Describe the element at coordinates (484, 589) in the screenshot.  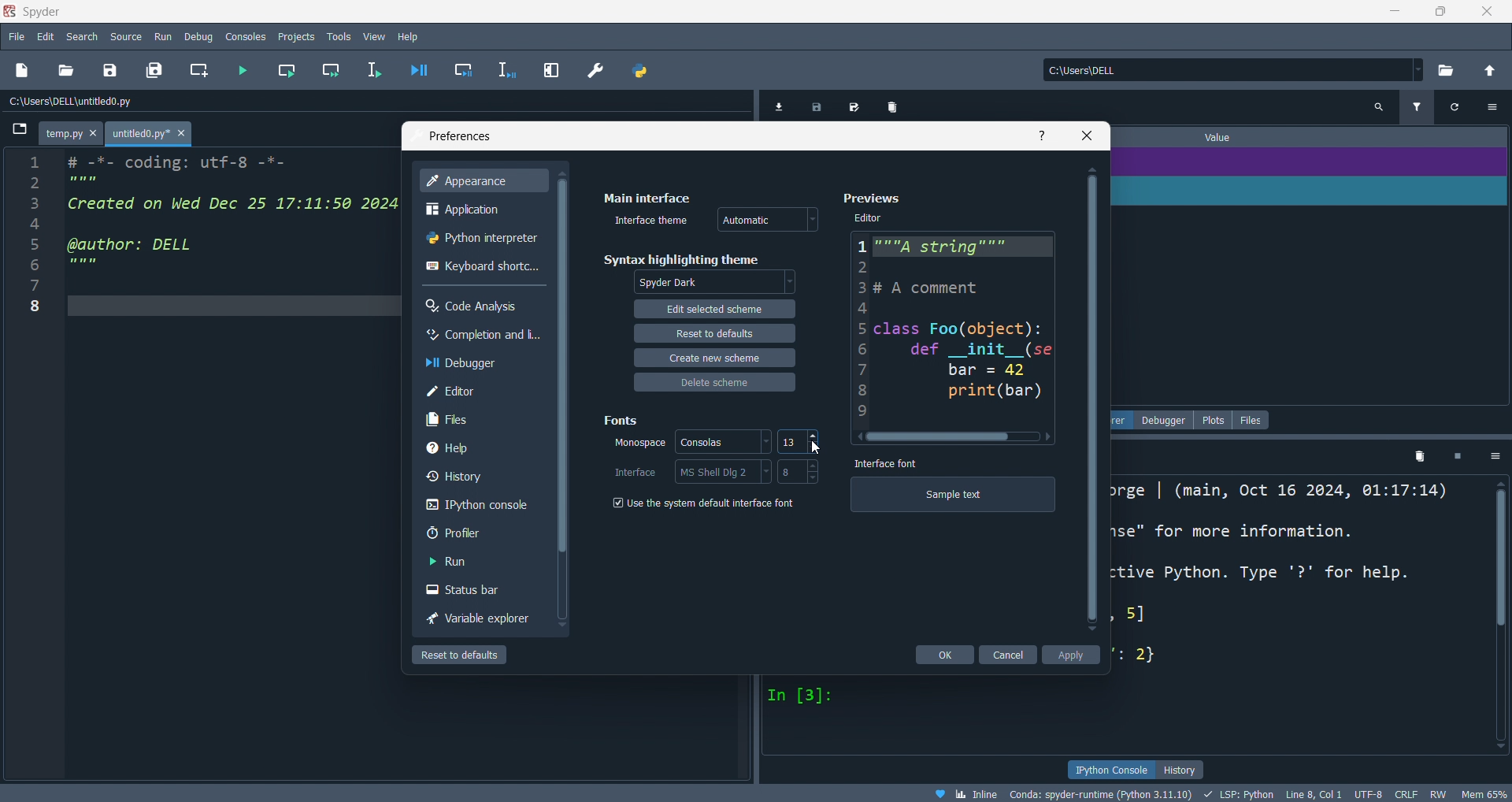
I see `status bar` at that location.